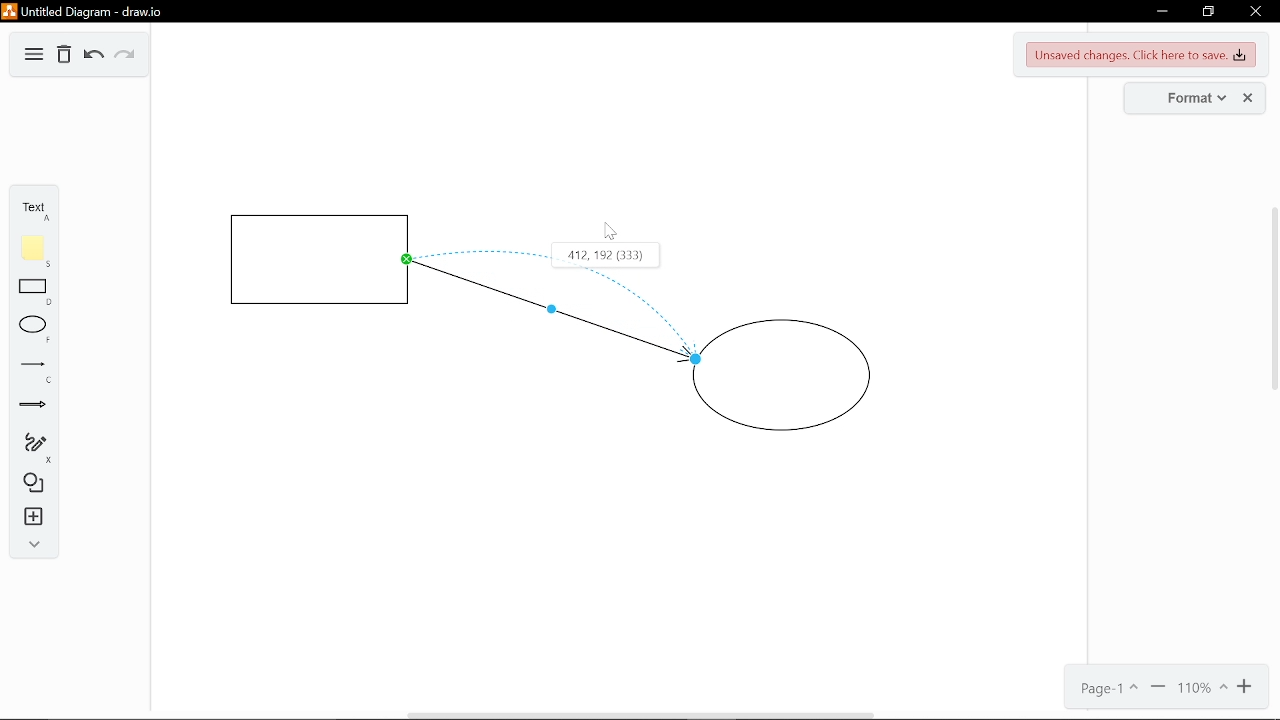 Image resolution: width=1280 pixels, height=720 pixels. Describe the element at coordinates (1139, 54) in the screenshot. I see `Unsaved changes. Click here to save` at that location.